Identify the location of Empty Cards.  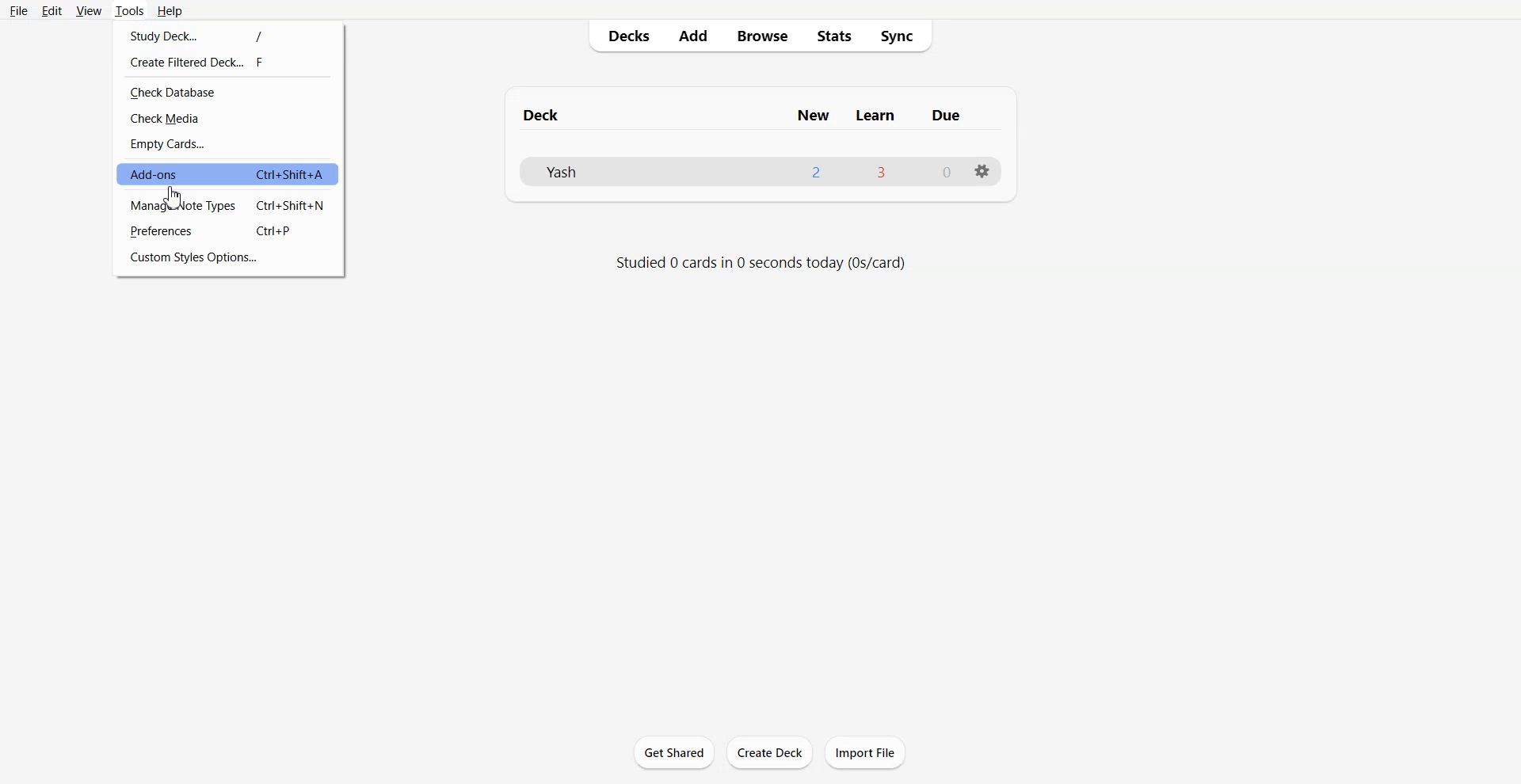
(228, 144).